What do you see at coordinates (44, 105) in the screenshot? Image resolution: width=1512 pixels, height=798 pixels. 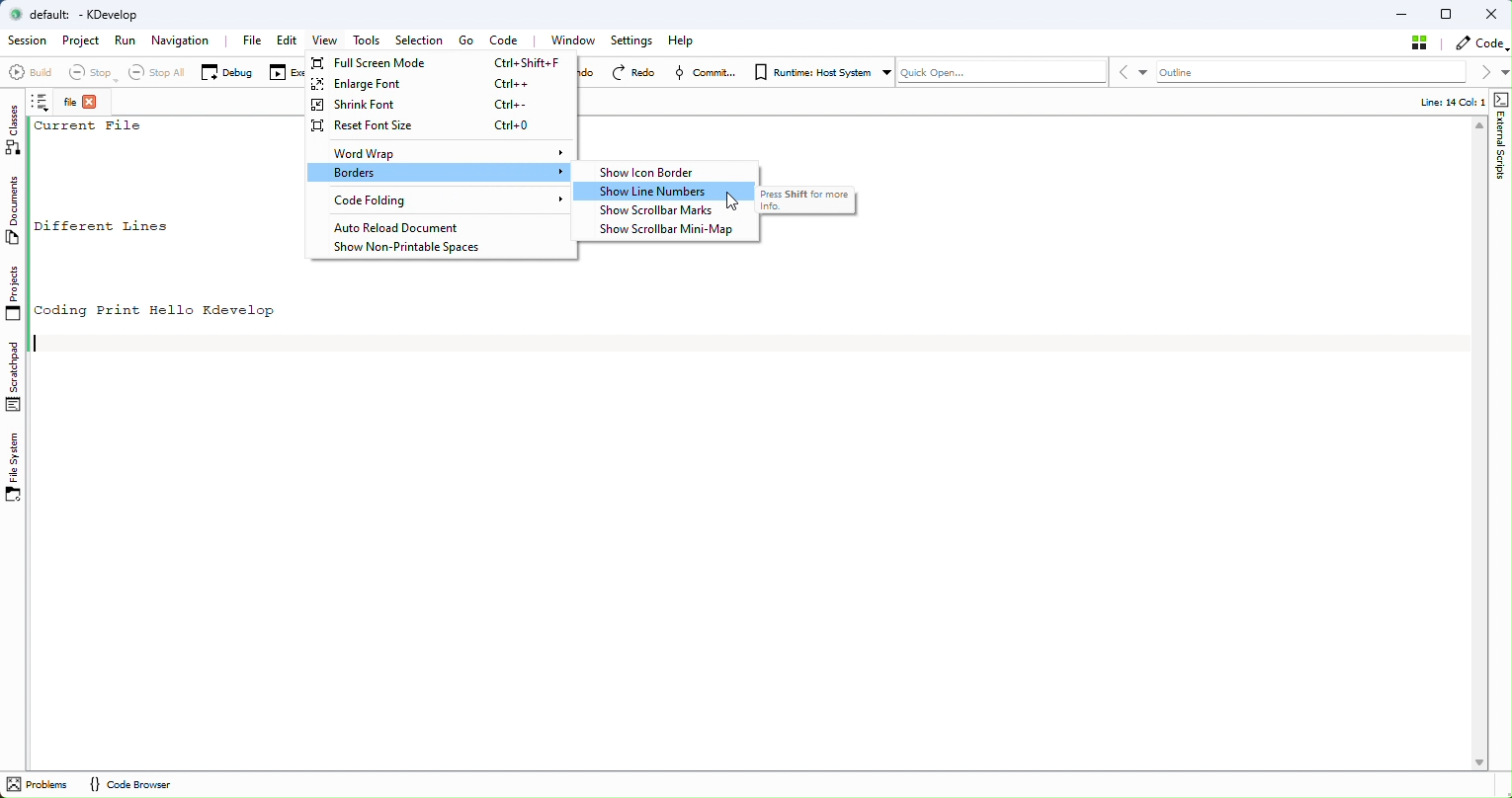 I see `note` at bounding box center [44, 105].